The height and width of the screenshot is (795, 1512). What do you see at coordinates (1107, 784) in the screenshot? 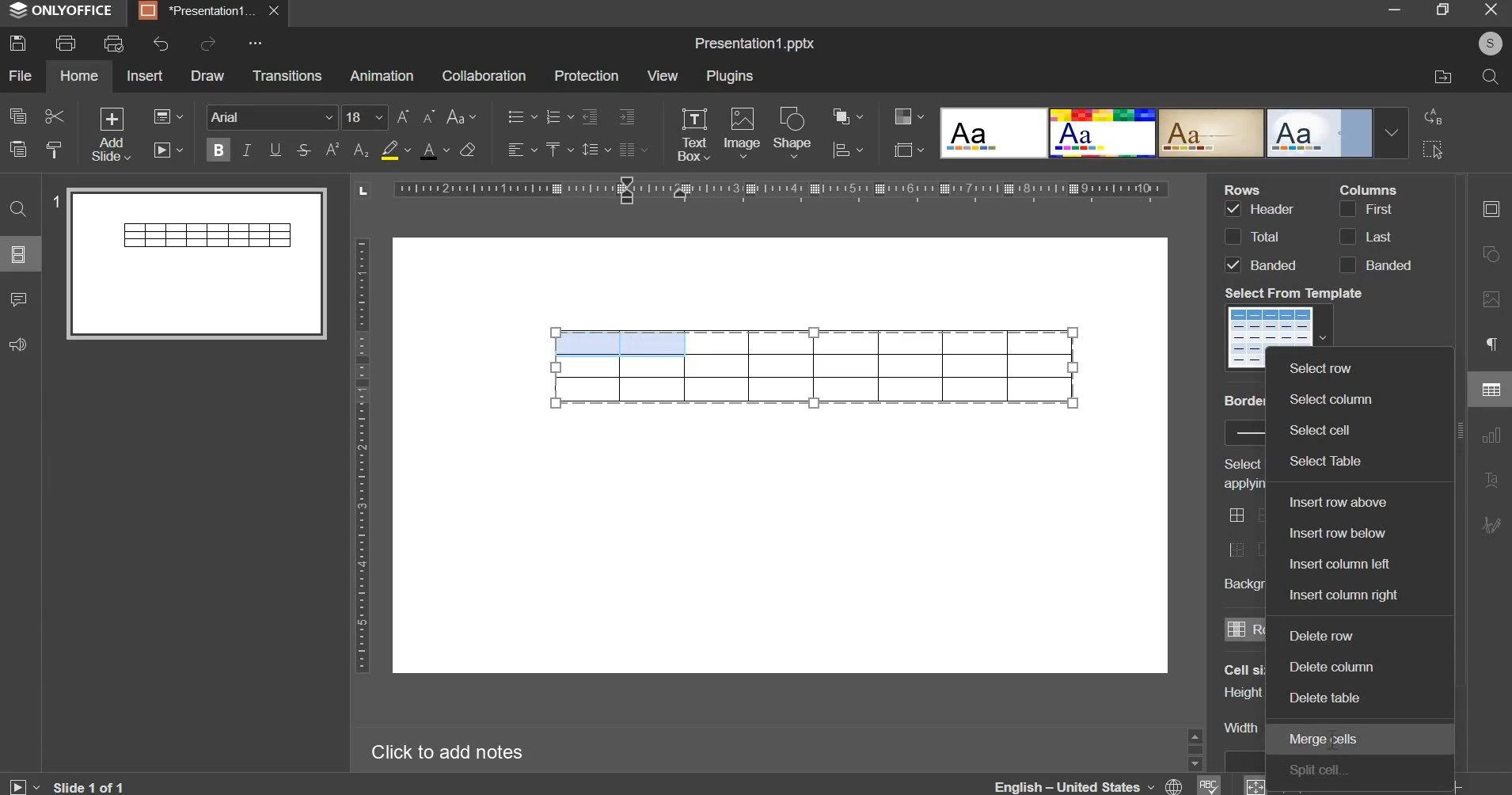
I see `language & spelling` at bounding box center [1107, 784].